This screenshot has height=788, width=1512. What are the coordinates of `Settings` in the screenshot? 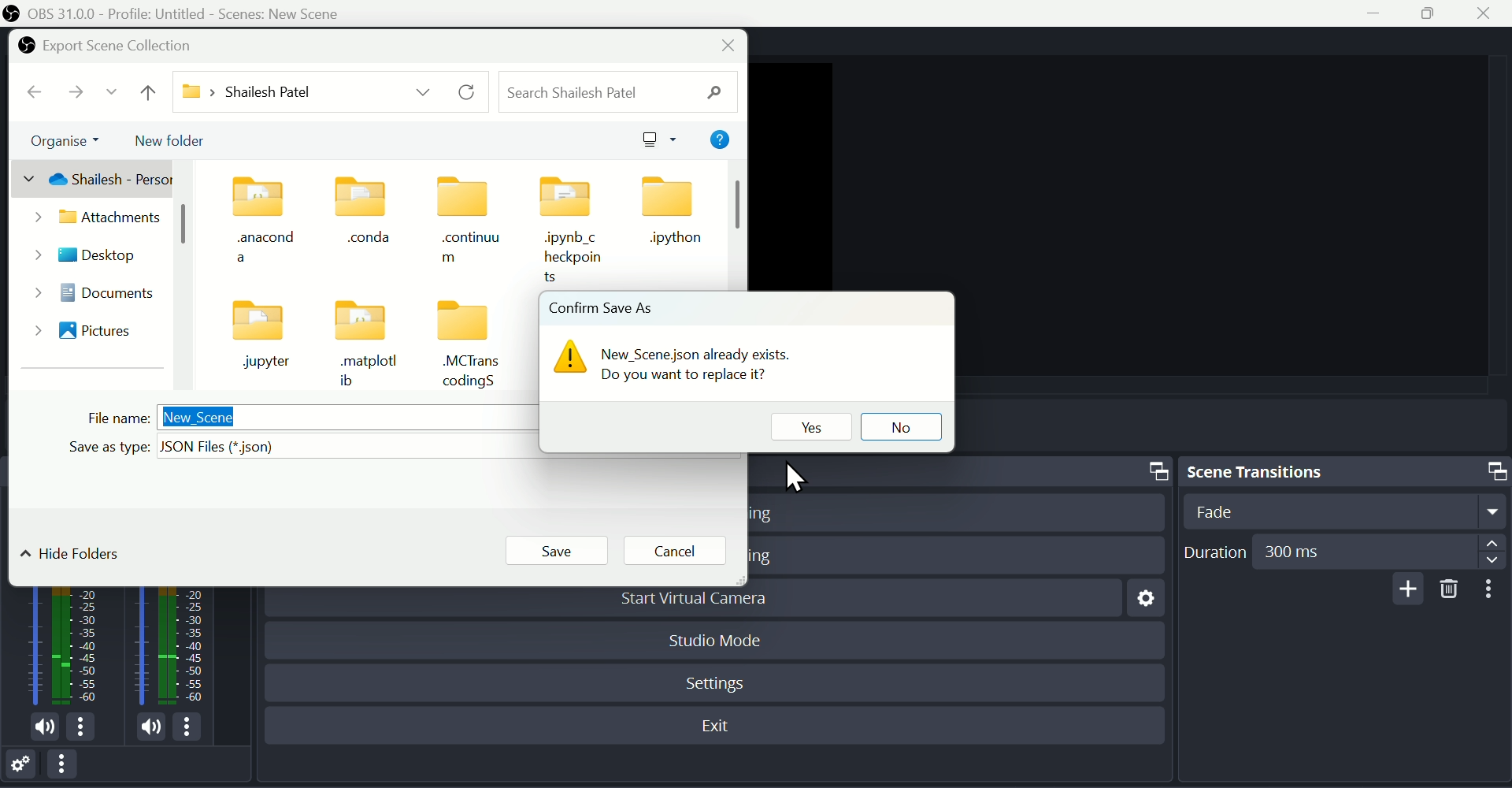 It's located at (25, 767).